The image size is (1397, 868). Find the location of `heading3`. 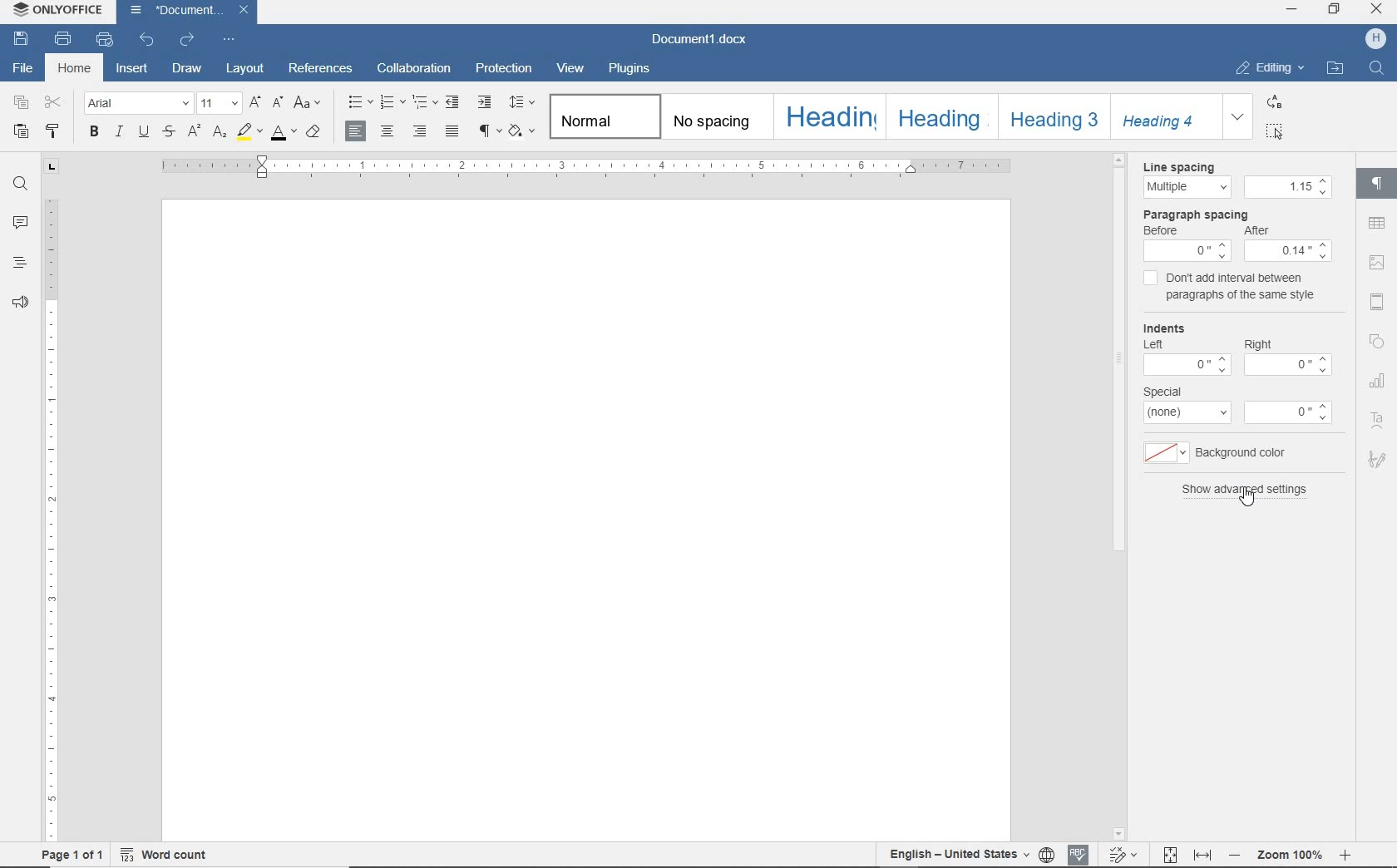

heading3 is located at coordinates (1054, 121).